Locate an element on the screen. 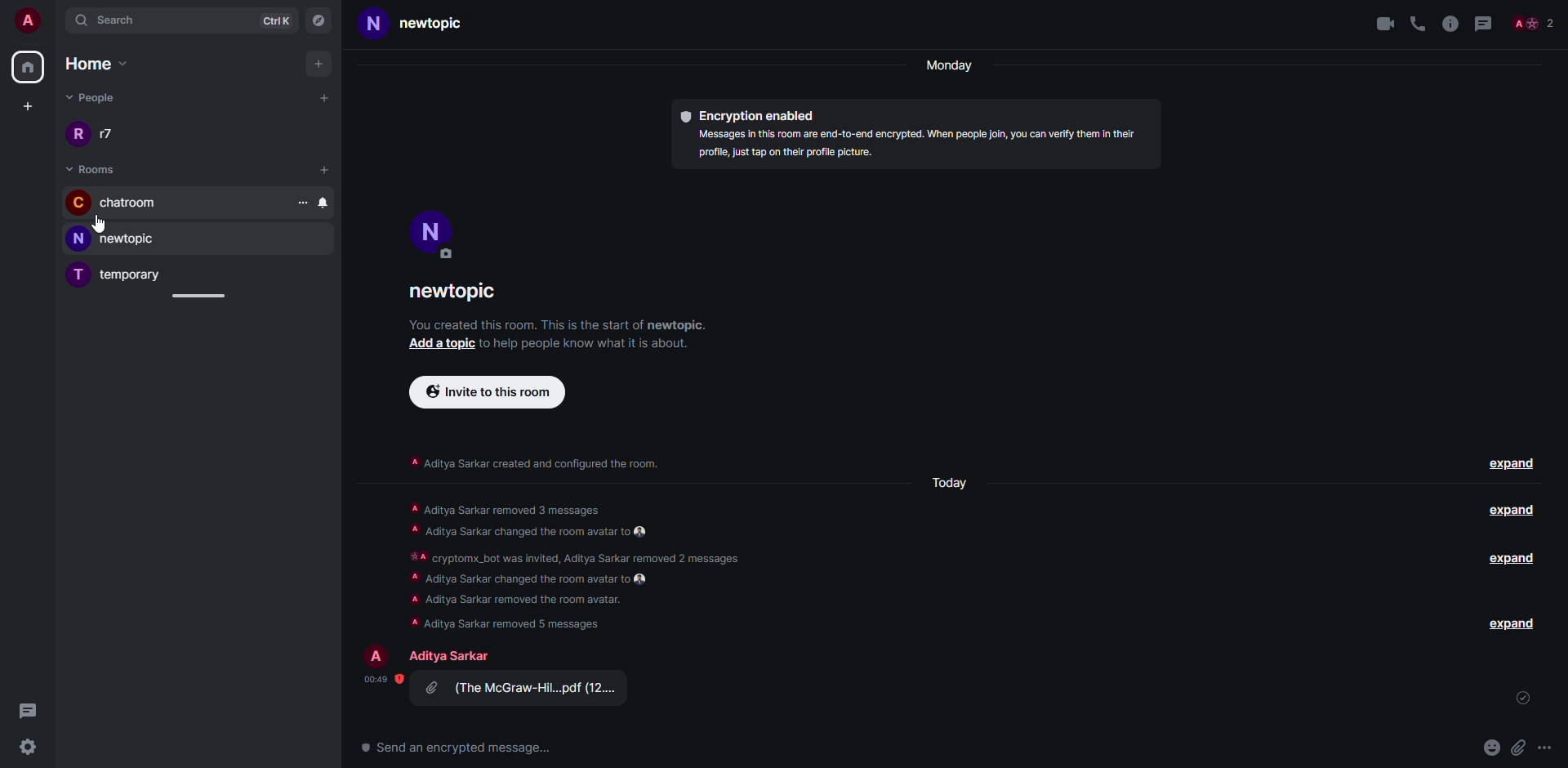  video call is located at coordinates (1383, 23).